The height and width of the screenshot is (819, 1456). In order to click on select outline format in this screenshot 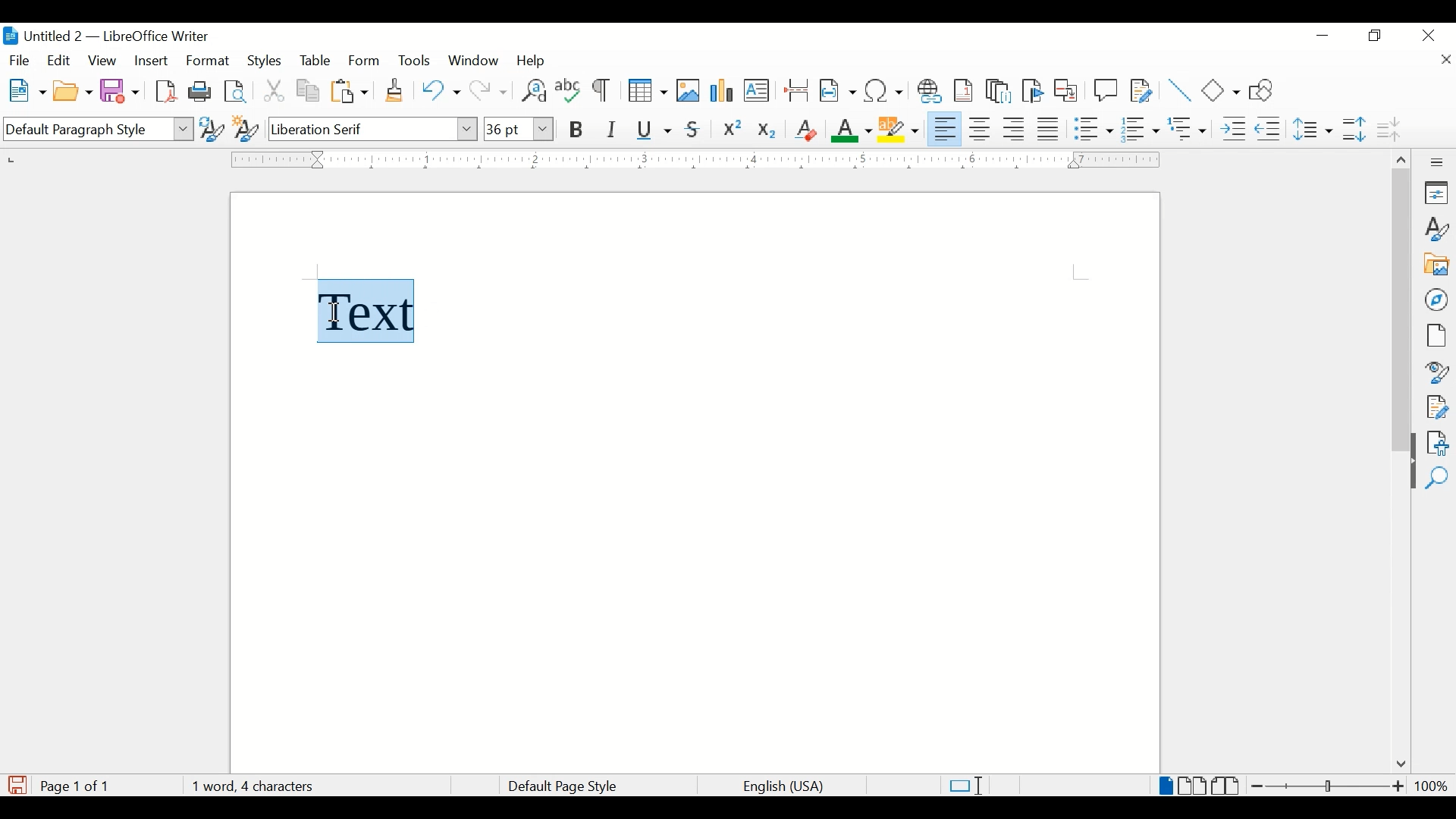, I will do `click(1188, 129)`.